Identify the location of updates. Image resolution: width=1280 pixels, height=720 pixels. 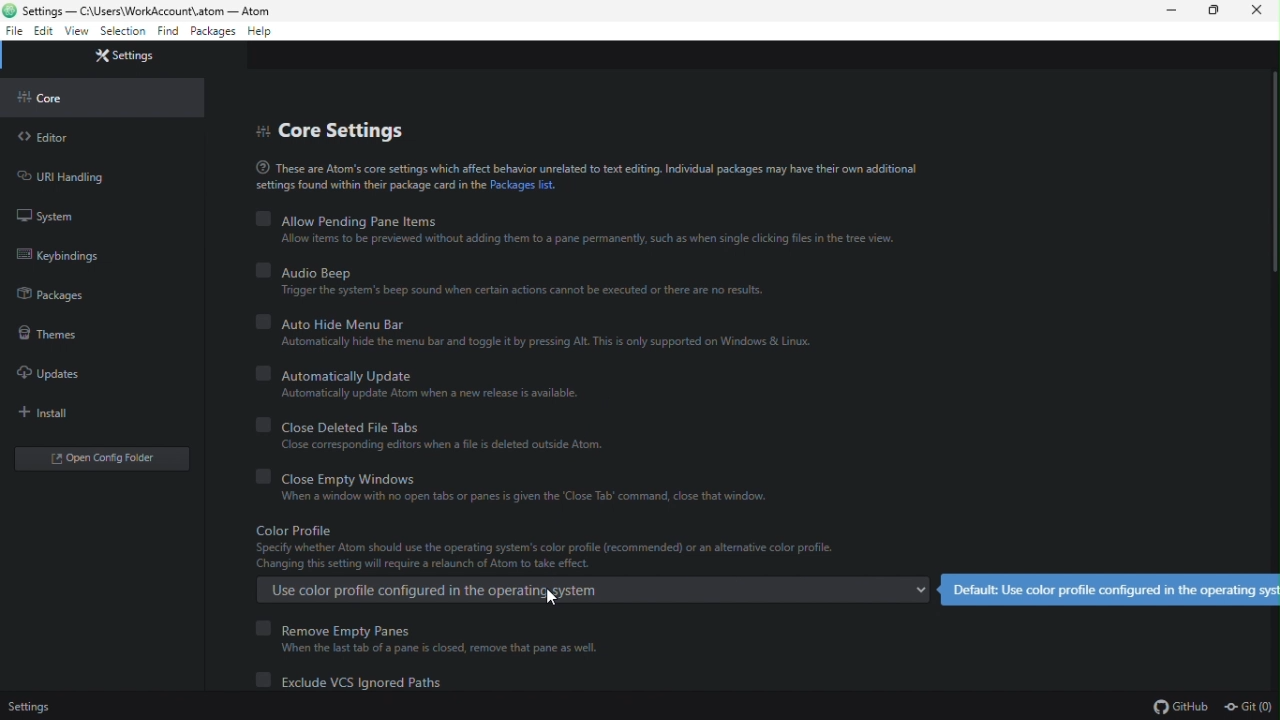
(50, 374).